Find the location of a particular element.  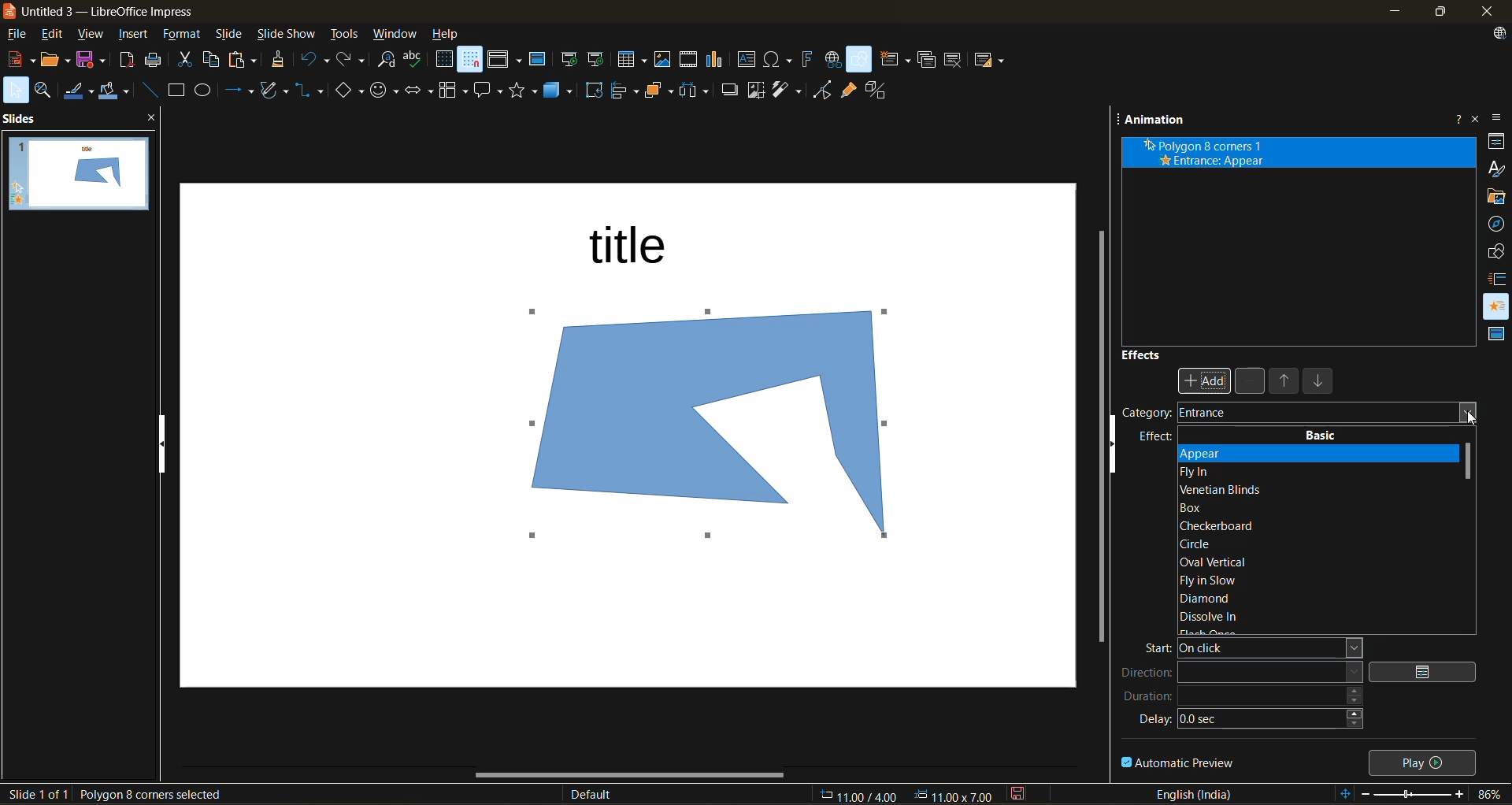

animation is located at coordinates (1492, 304).